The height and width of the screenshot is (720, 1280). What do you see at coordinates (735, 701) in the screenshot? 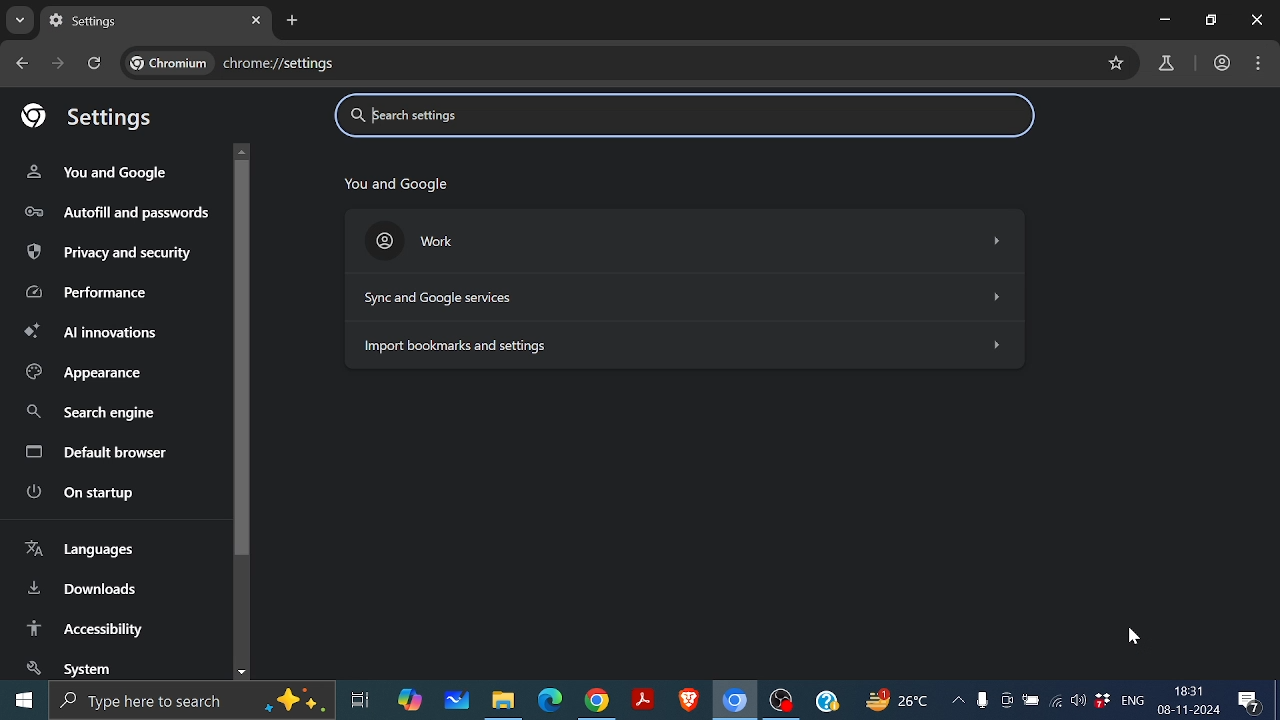
I see `chromium` at bounding box center [735, 701].